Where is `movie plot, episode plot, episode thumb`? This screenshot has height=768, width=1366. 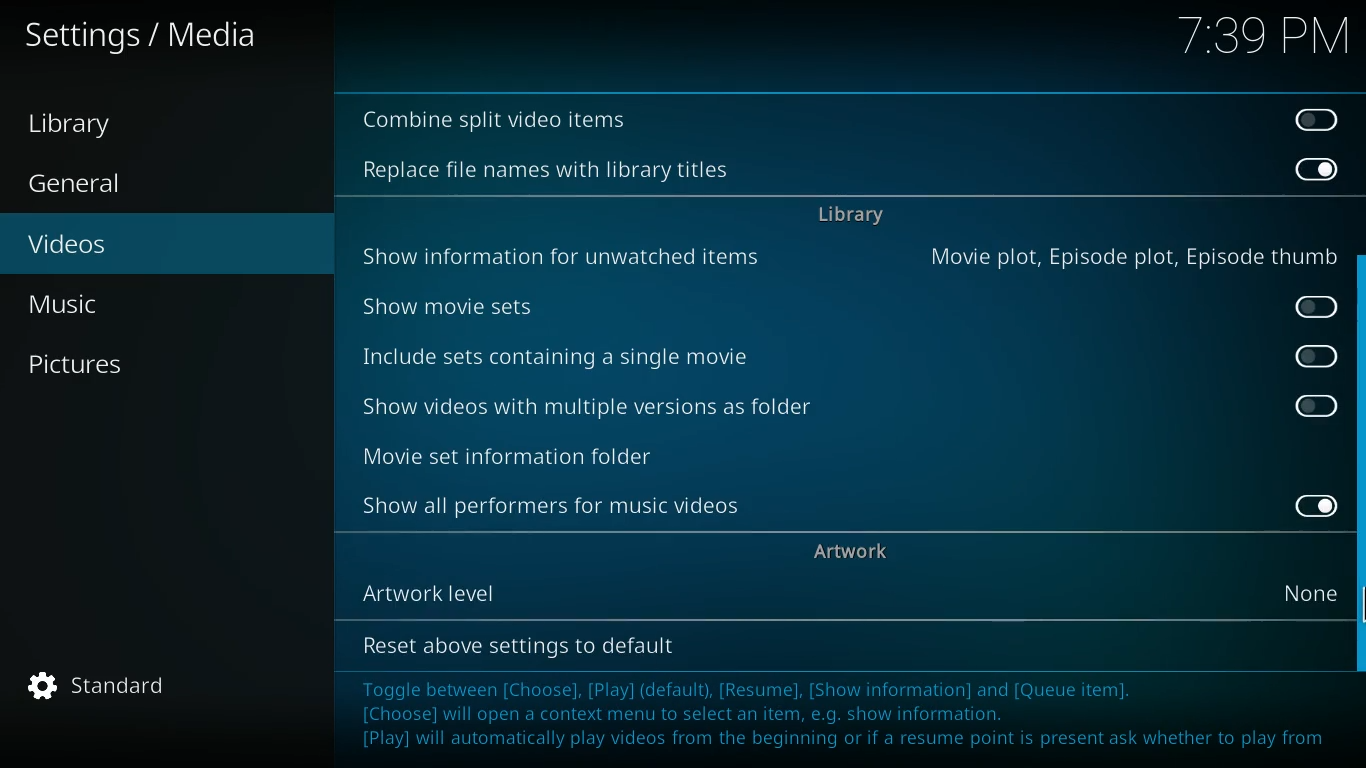 movie plot, episode plot, episode thumb is located at coordinates (1130, 256).